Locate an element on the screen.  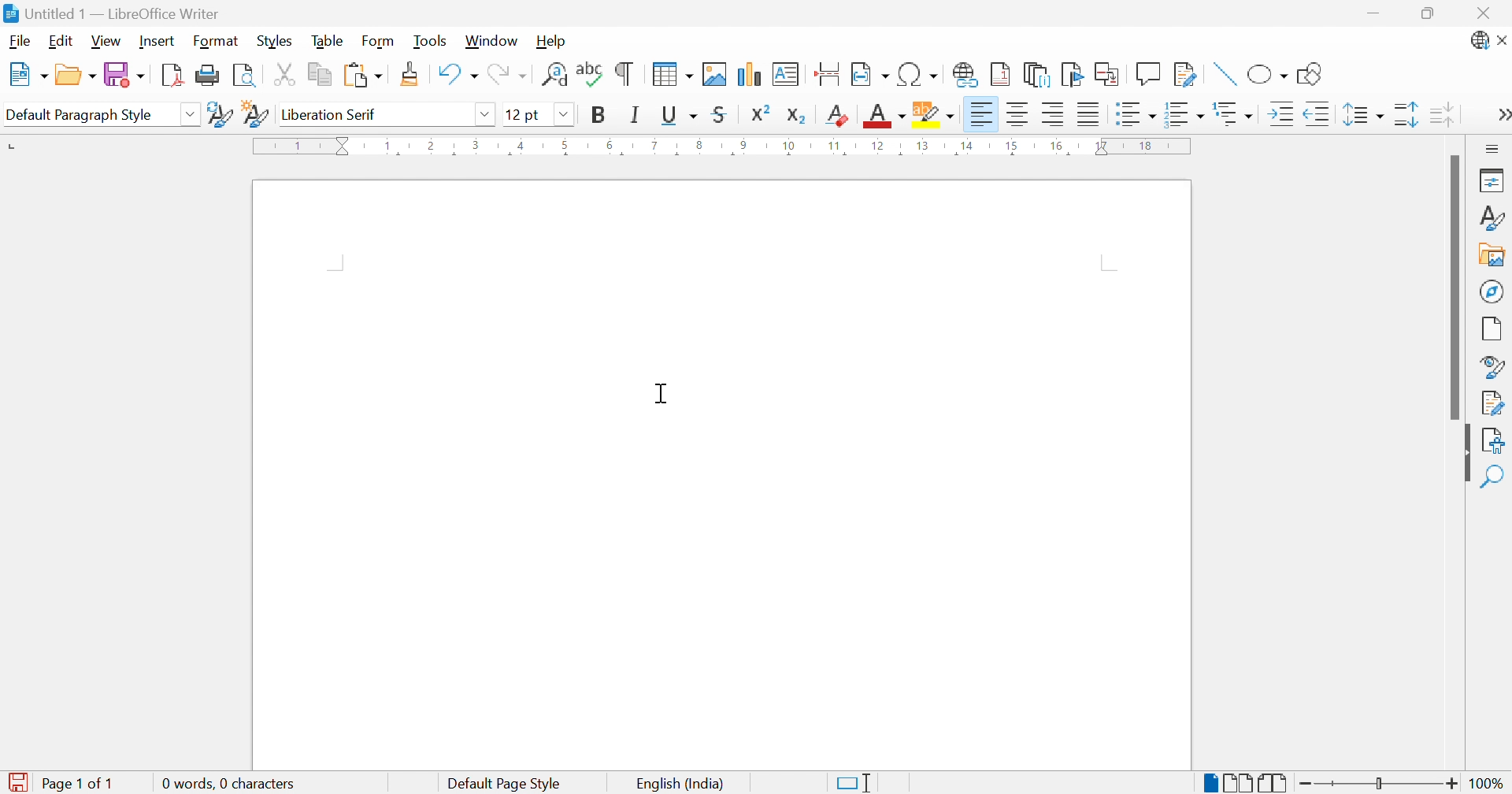
Decrease paragraph spacing is located at coordinates (1440, 113).